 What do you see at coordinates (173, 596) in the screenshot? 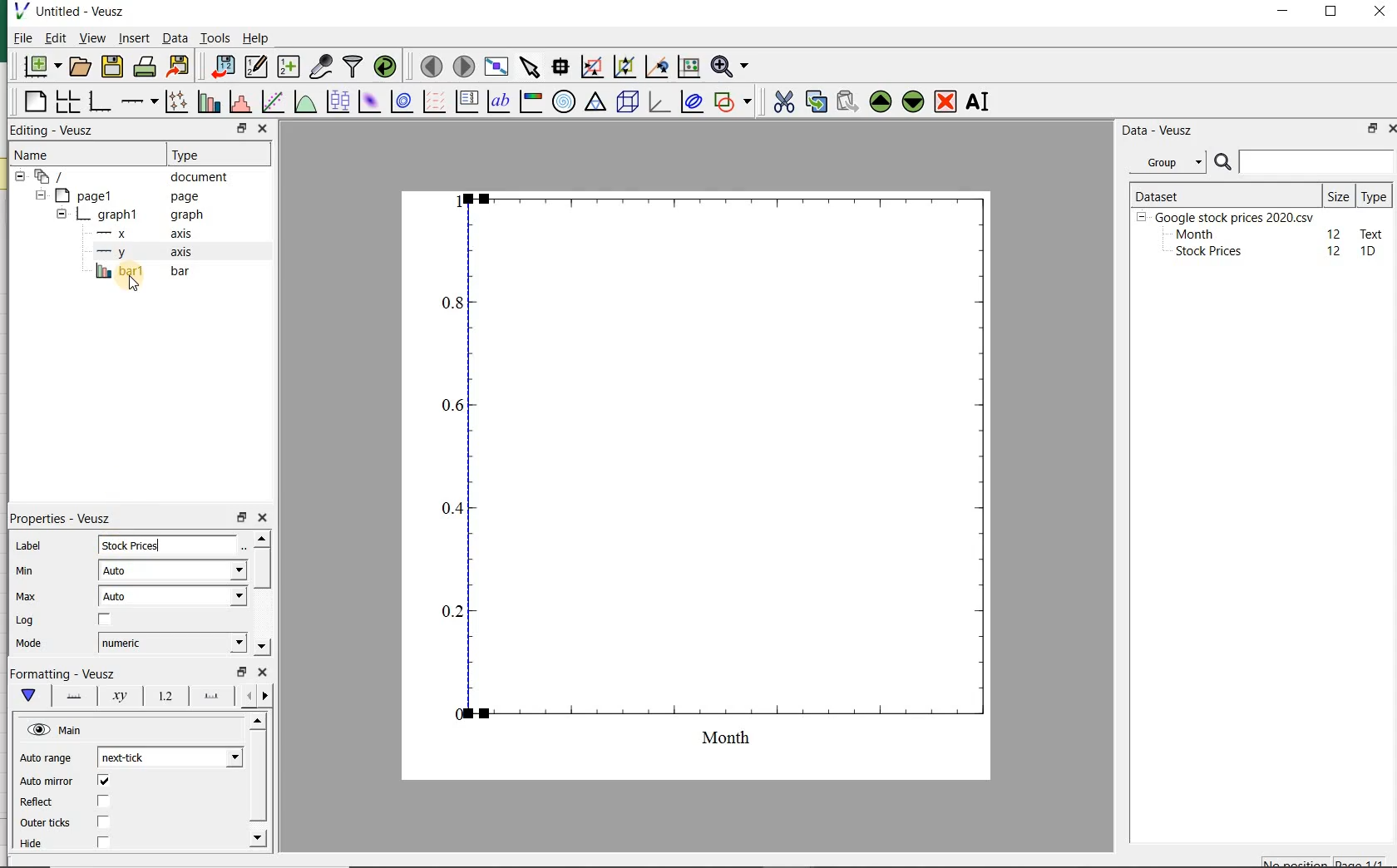
I see `Auto` at bounding box center [173, 596].